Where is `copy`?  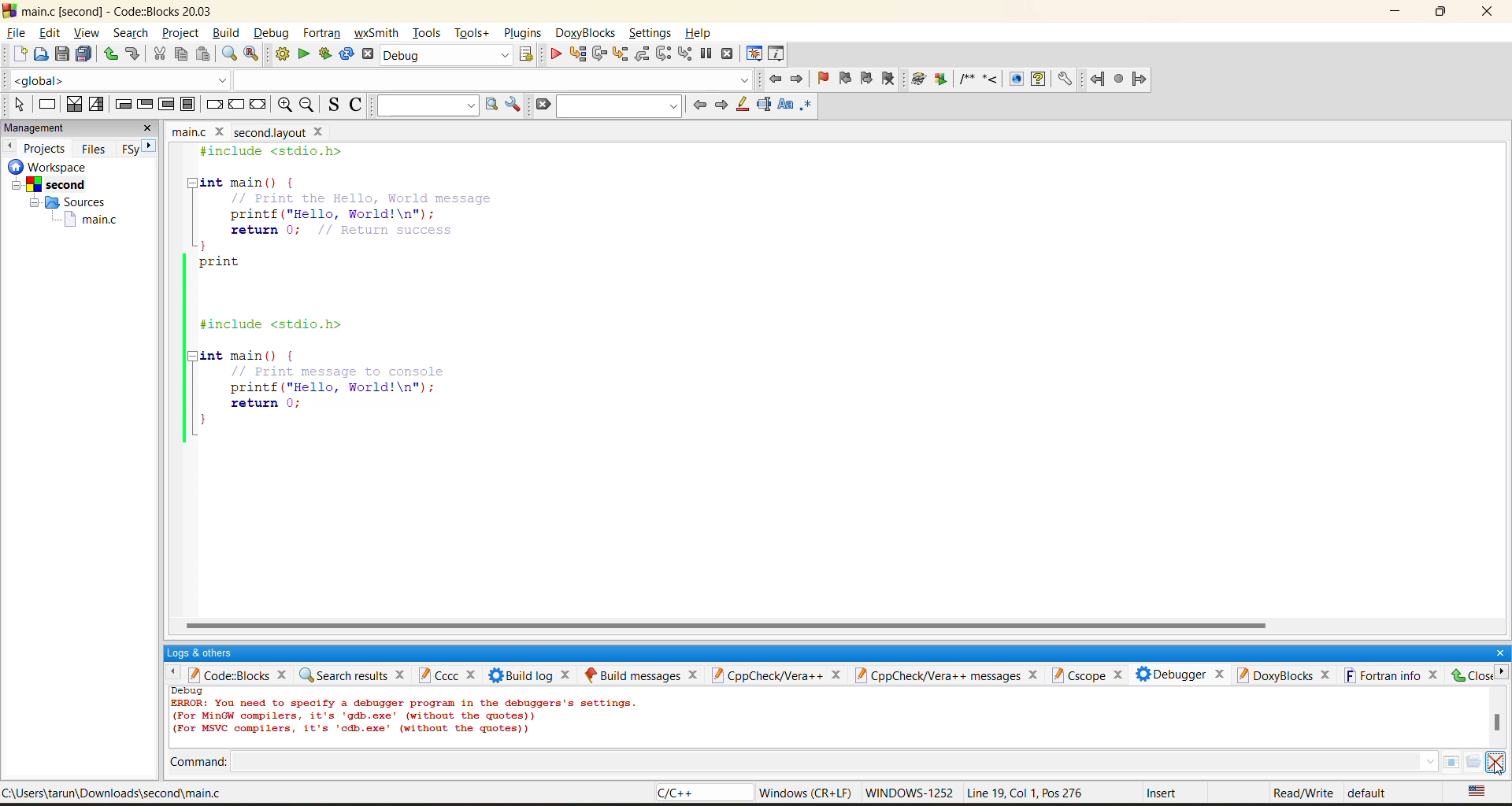 copy is located at coordinates (176, 57).